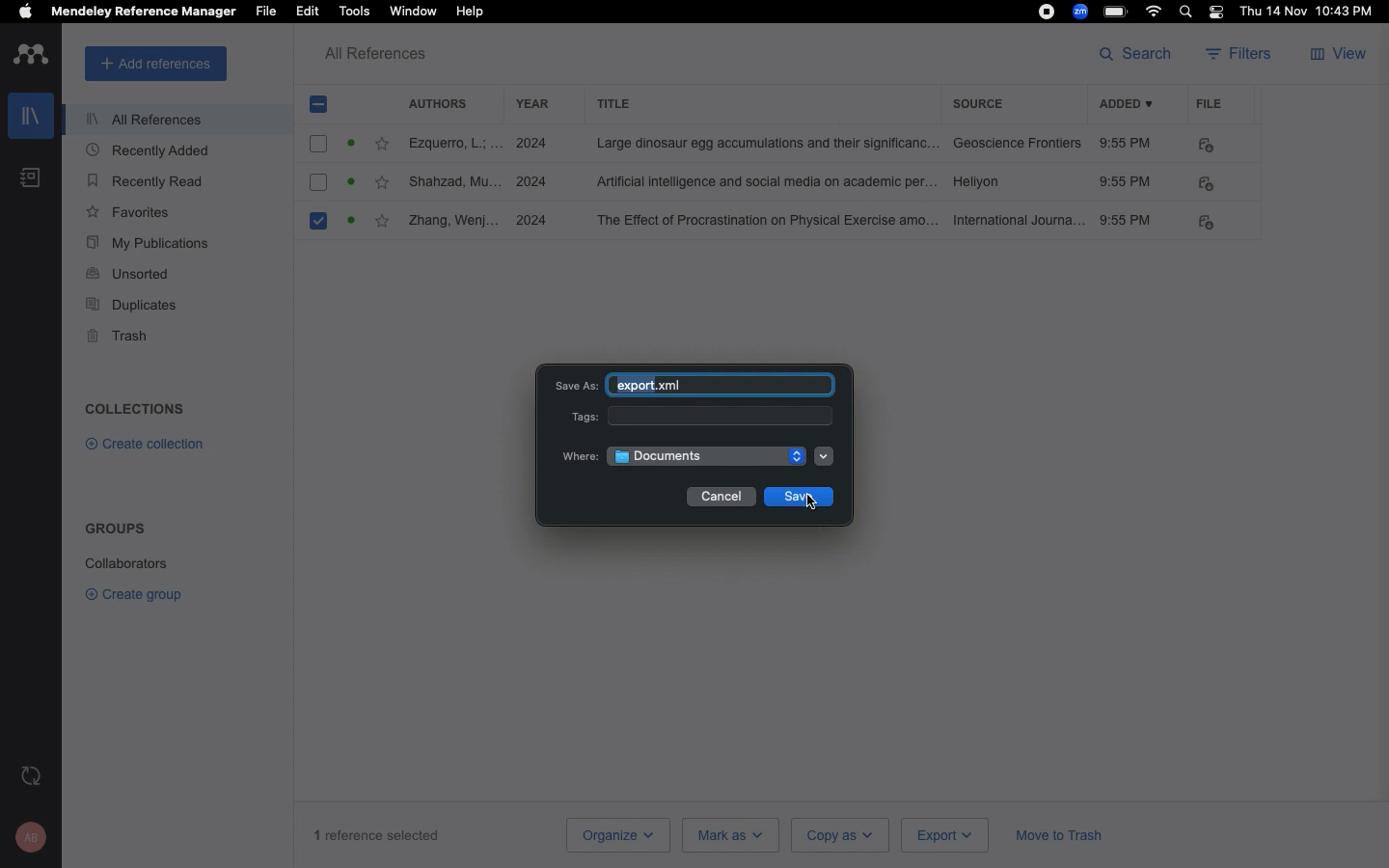 This screenshot has height=868, width=1389. What do you see at coordinates (33, 837) in the screenshot?
I see `Account and help` at bounding box center [33, 837].